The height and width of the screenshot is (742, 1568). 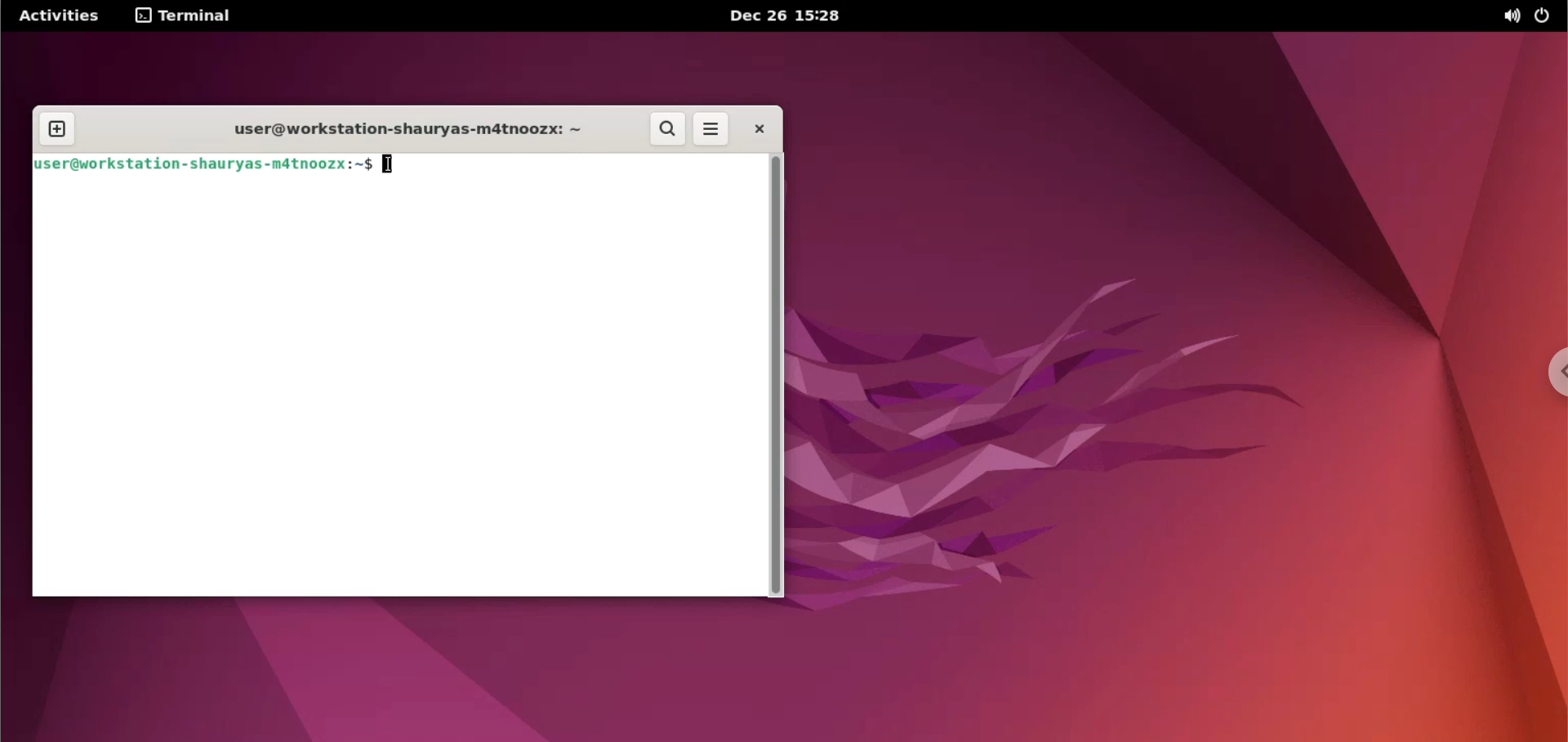 I want to click on chrome options, so click(x=1552, y=376).